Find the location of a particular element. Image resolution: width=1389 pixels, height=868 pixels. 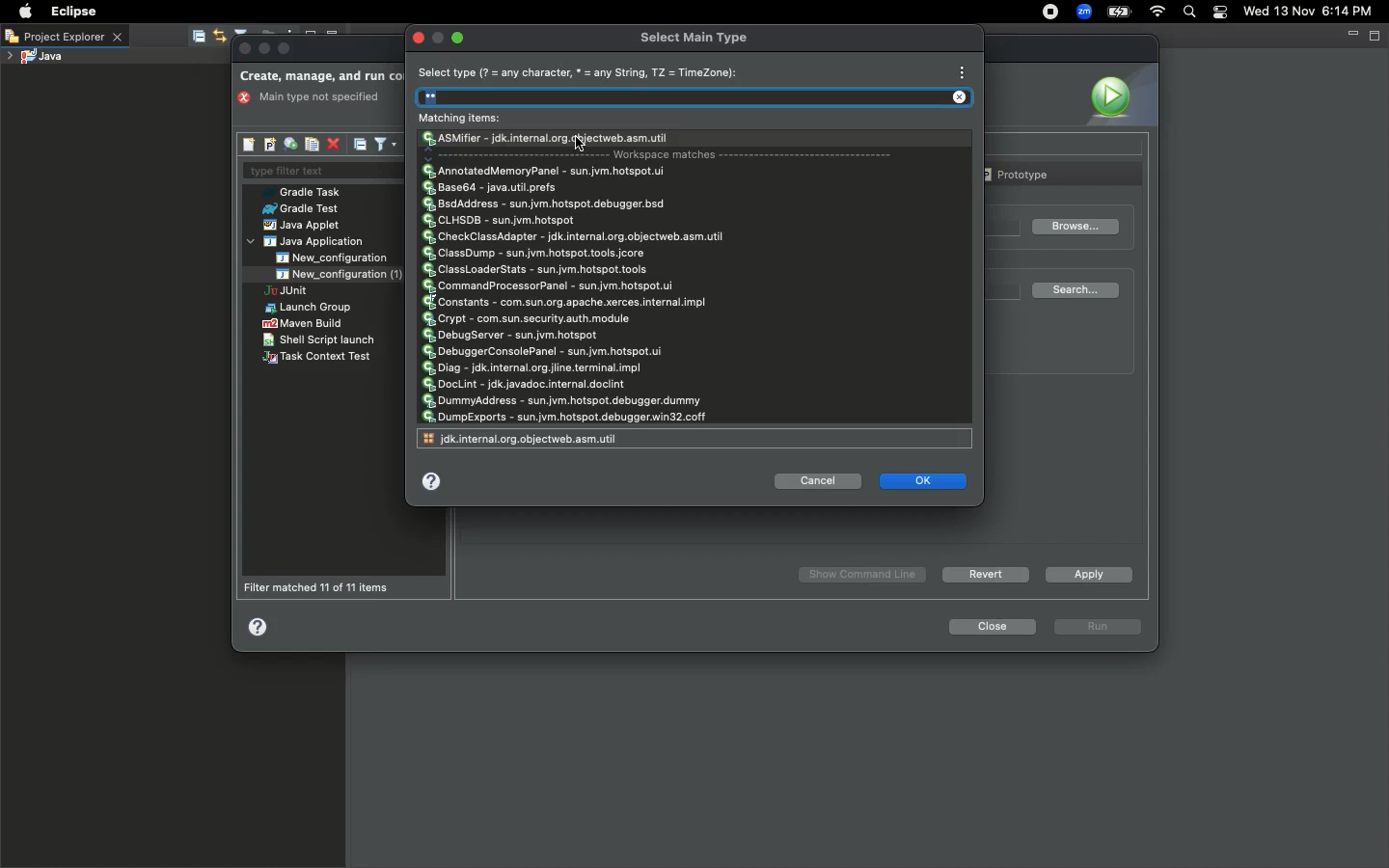

Maximize is located at coordinates (1376, 35).